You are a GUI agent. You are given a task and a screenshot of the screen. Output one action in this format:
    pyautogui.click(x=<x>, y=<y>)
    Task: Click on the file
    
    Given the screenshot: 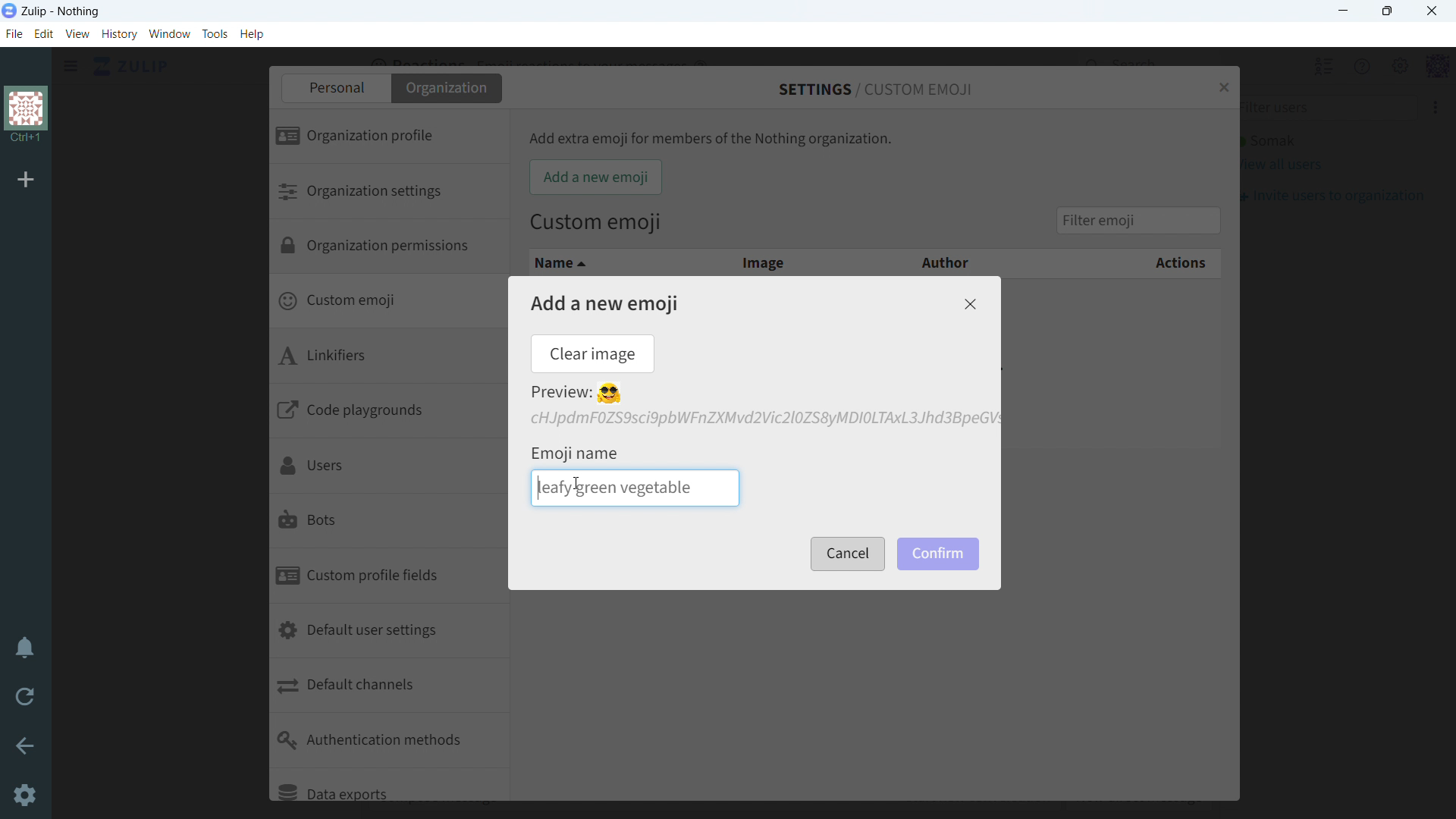 What is the action you would take?
    pyautogui.click(x=13, y=34)
    